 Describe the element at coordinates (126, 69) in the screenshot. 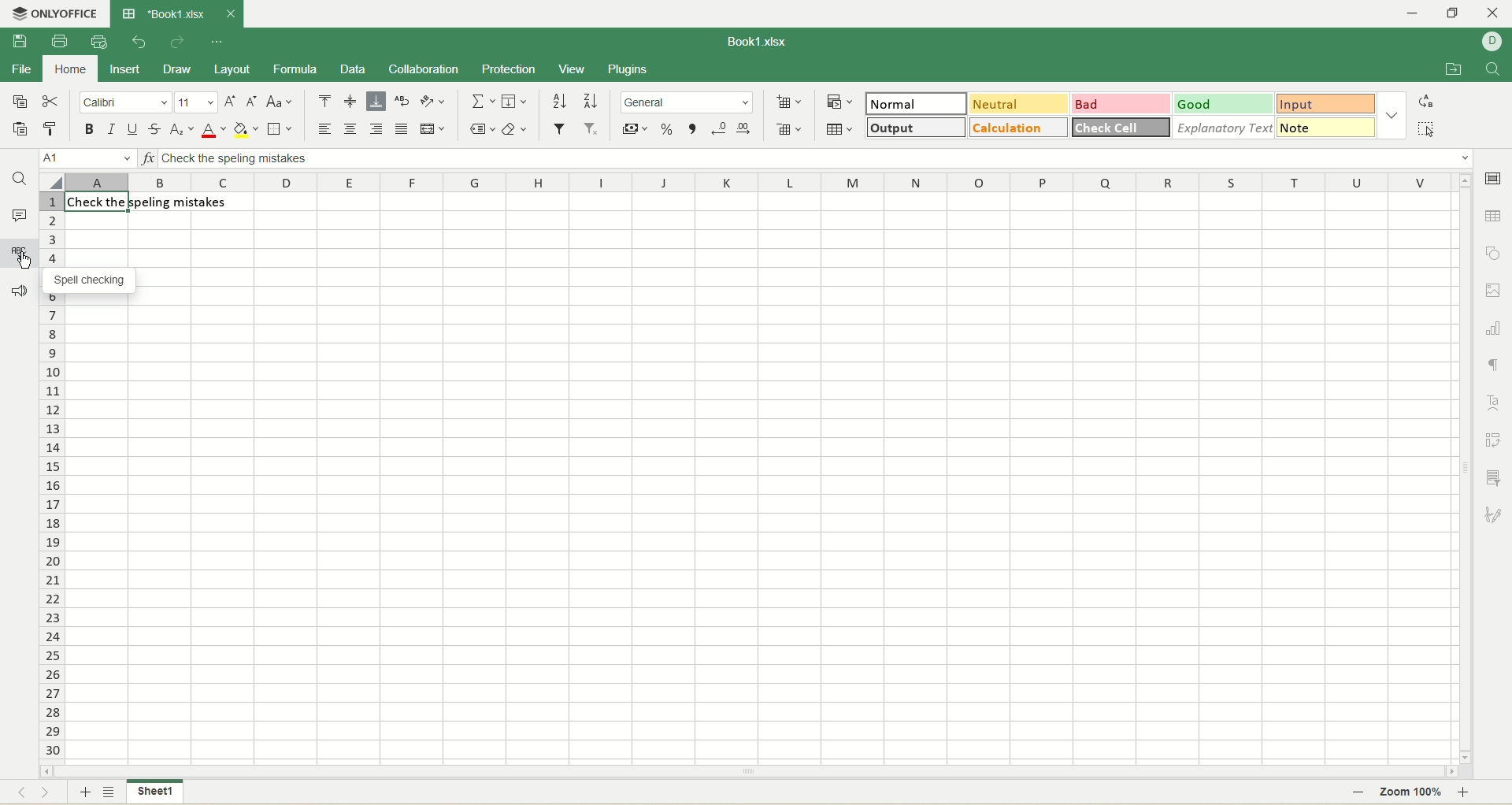

I see `insert` at that location.